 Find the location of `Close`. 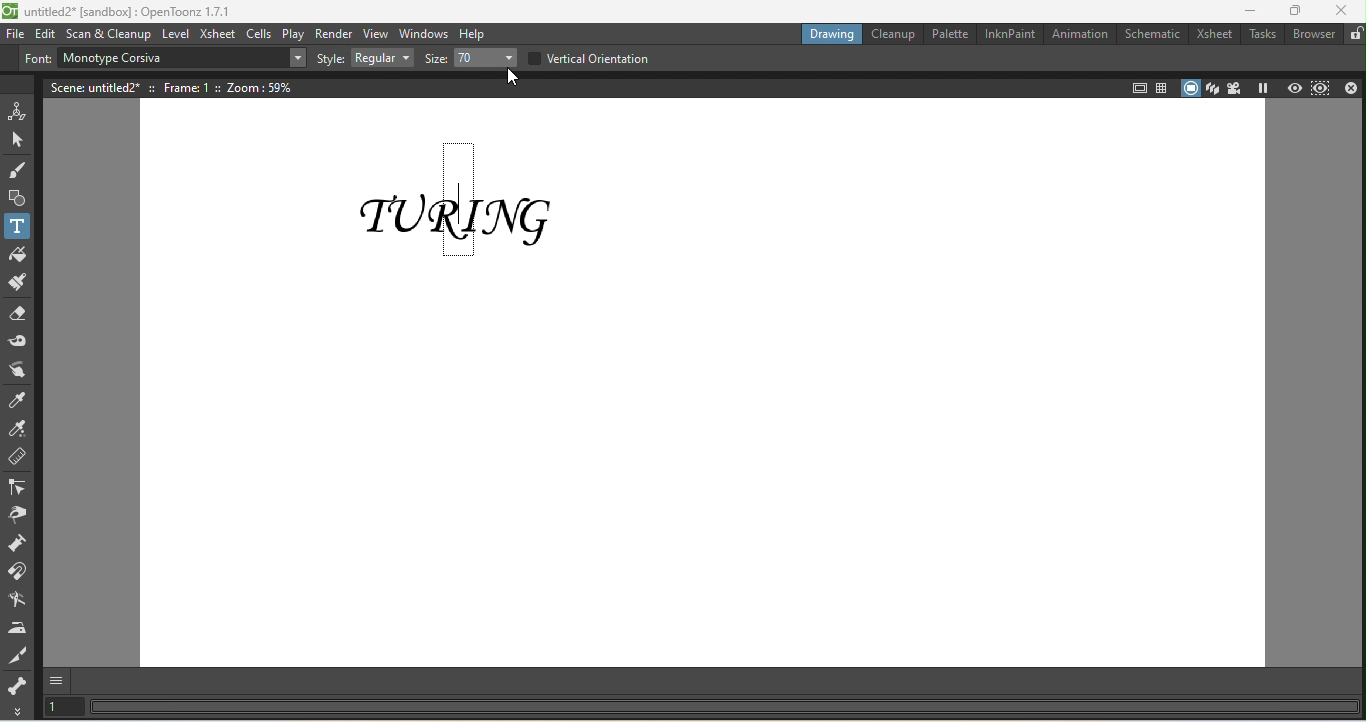

Close is located at coordinates (1342, 10).